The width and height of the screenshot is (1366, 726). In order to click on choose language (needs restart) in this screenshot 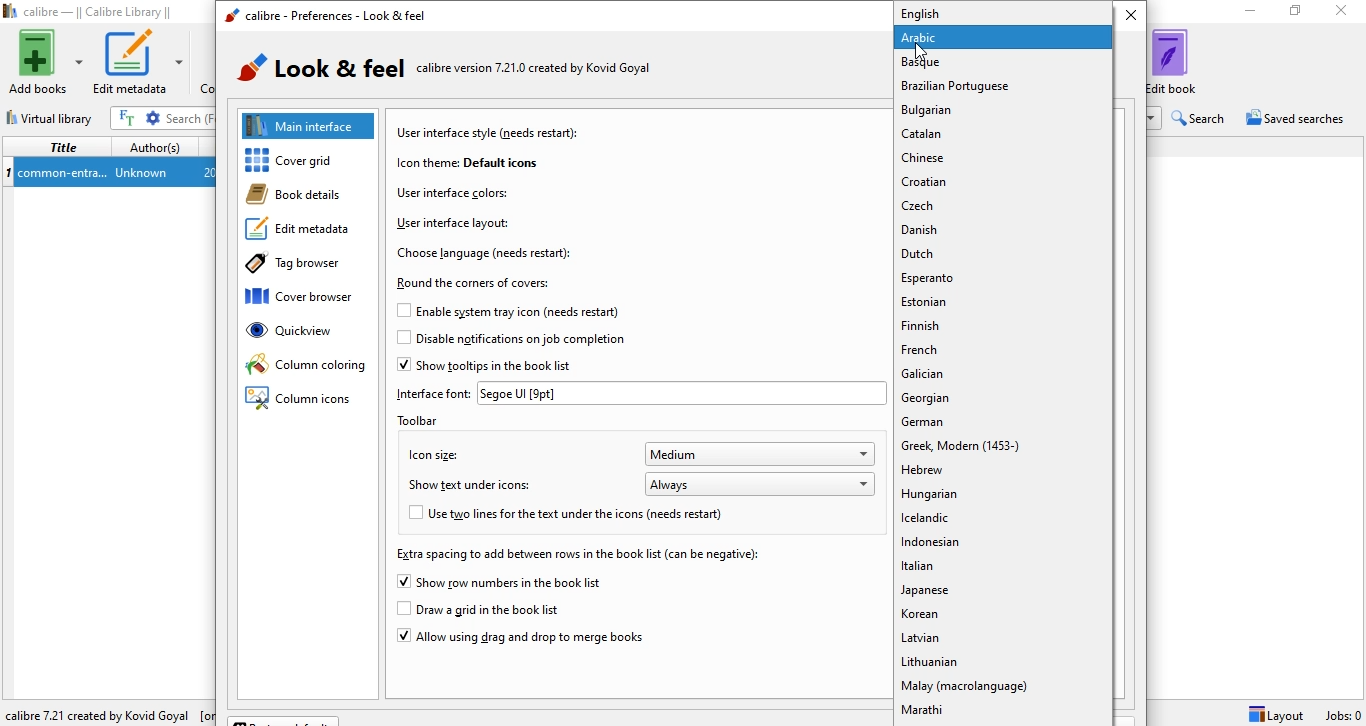, I will do `click(486, 252)`.